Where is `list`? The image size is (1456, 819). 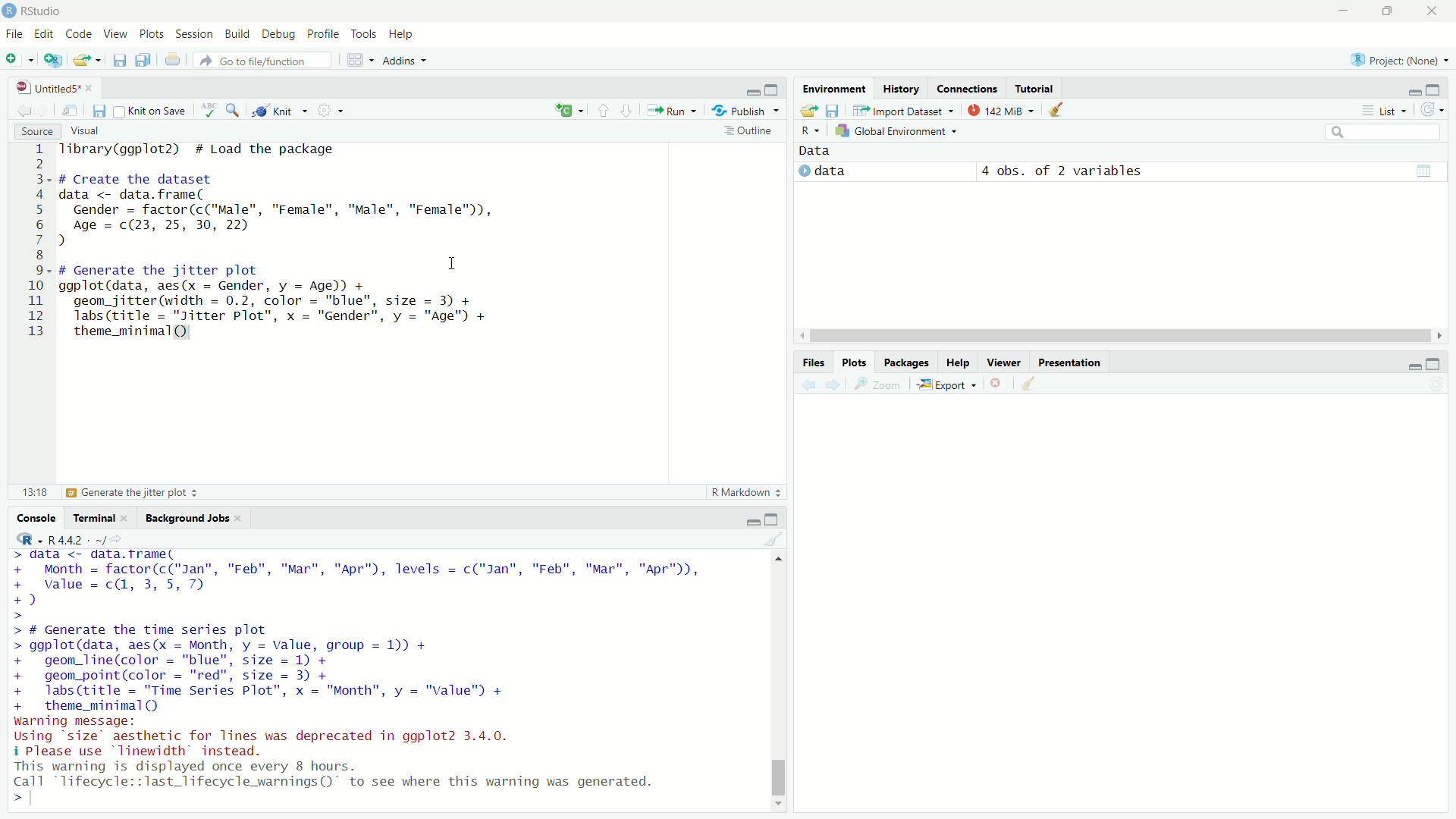
list is located at coordinates (1386, 111).